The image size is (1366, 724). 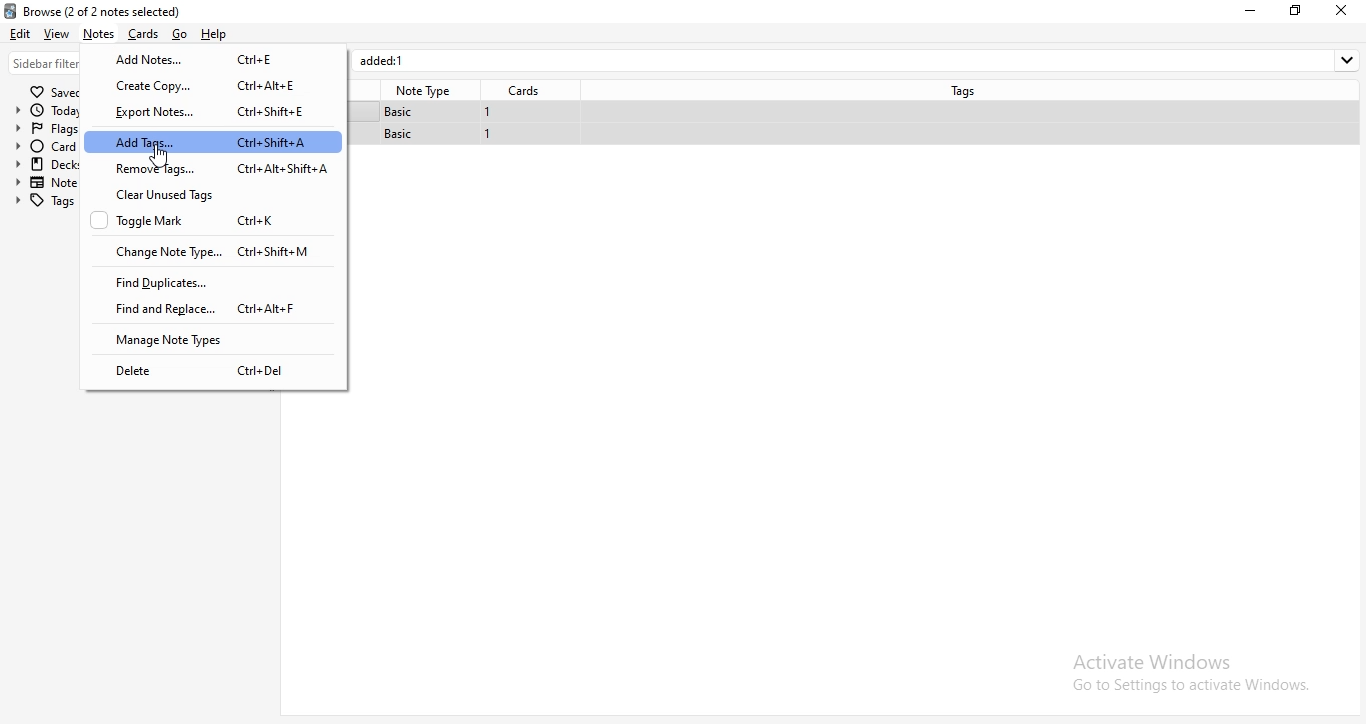 What do you see at coordinates (528, 91) in the screenshot?
I see `cards` at bounding box center [528, 91].